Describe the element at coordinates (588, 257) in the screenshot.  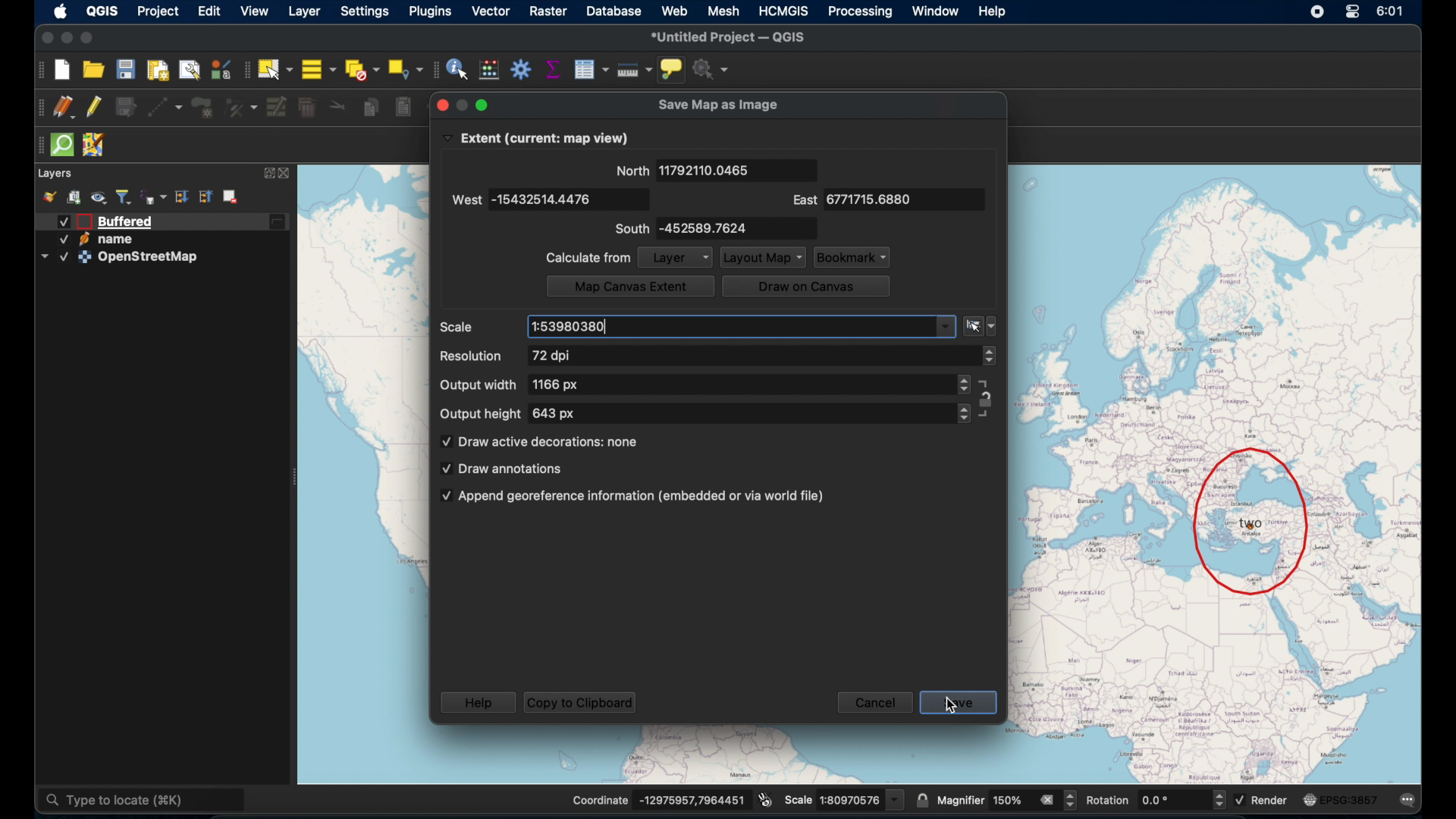
I see `calculate from` at that location.